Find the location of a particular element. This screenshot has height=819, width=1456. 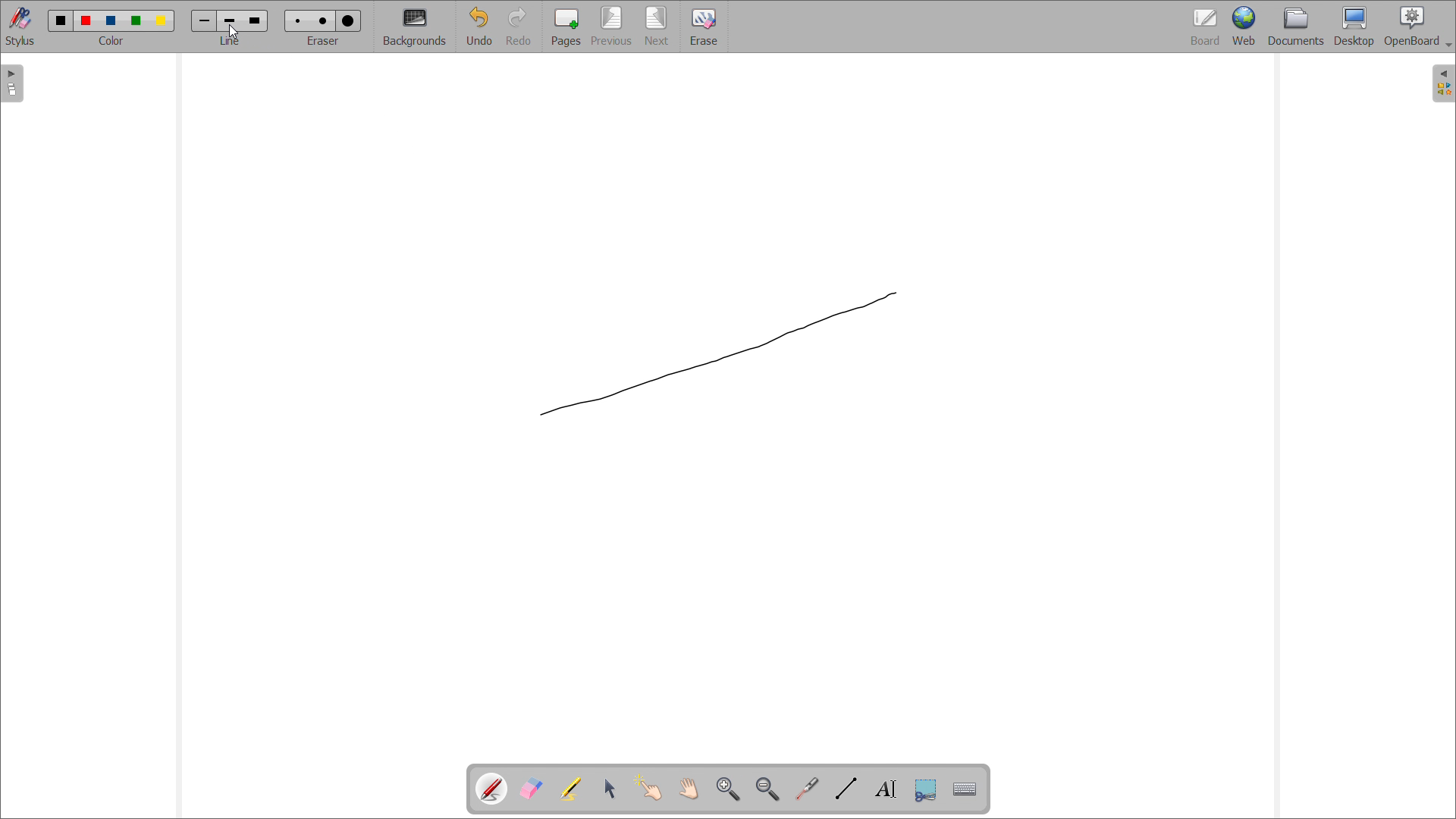

interact with items is located at coordinates (650, 788).